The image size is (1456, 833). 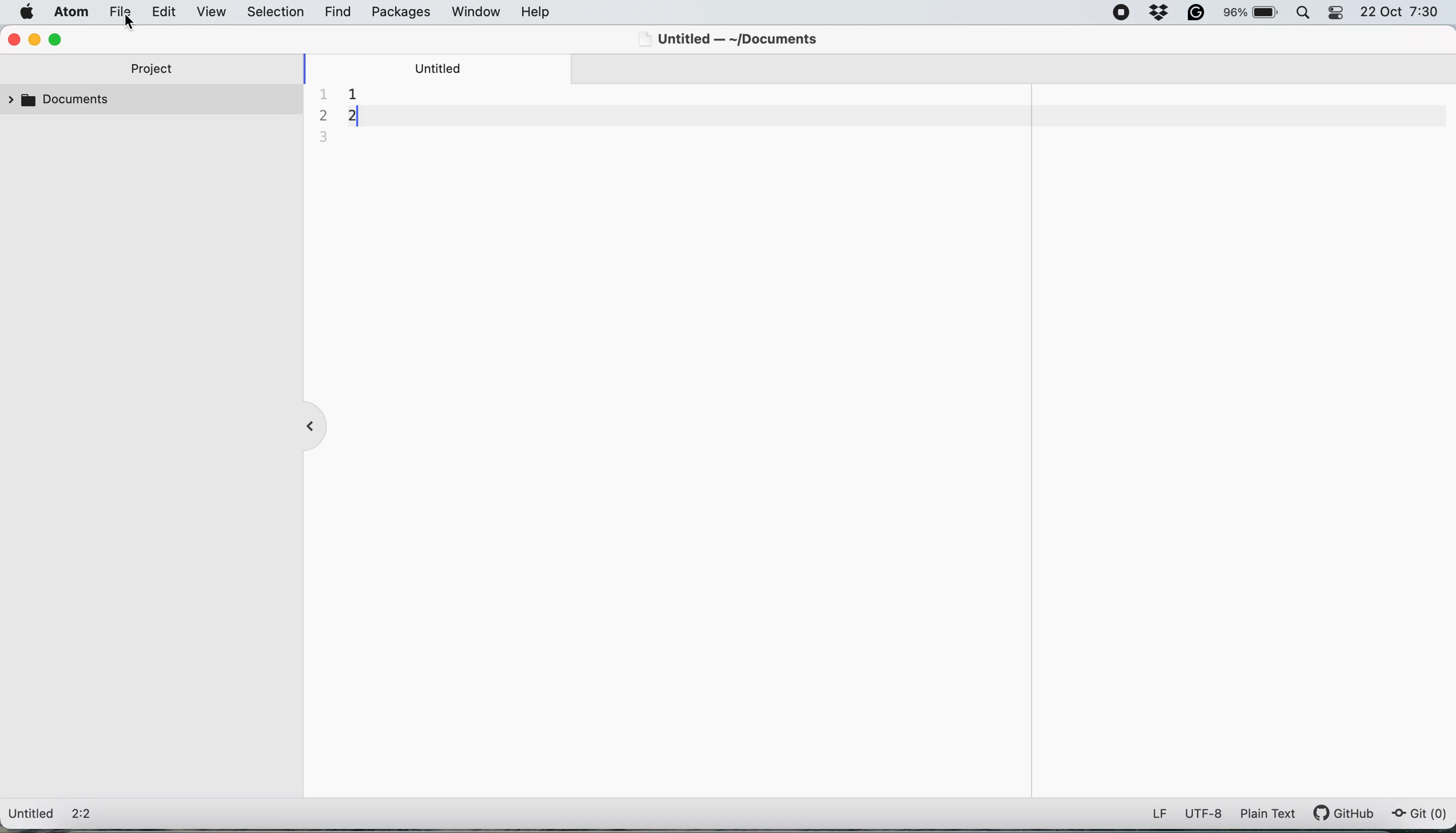 I want to click on git hub, so click(x=1345, y=814).